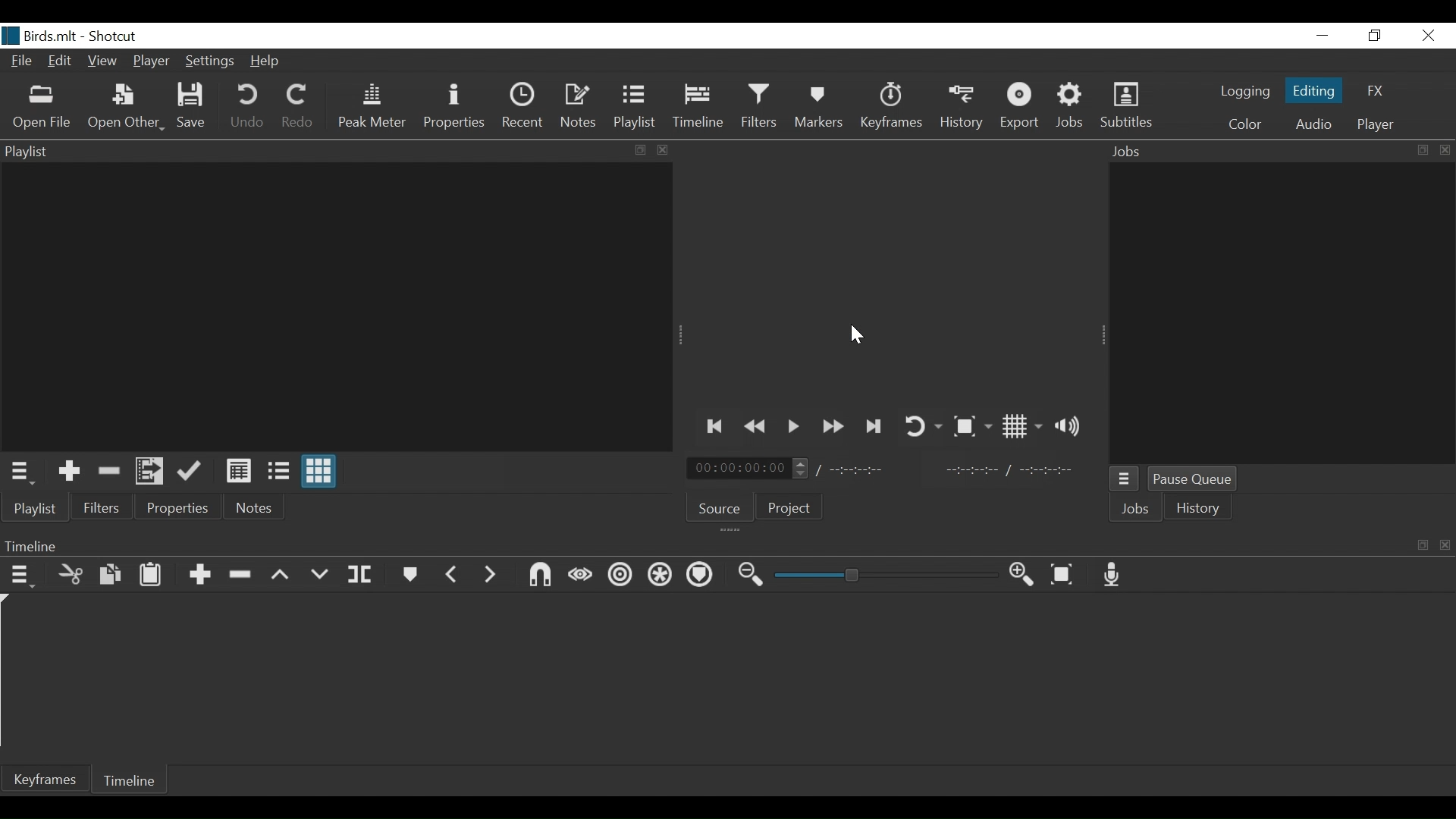 The width and height of the screenshot is (1456, 819). I want to click on Markers, so click(821, 106).